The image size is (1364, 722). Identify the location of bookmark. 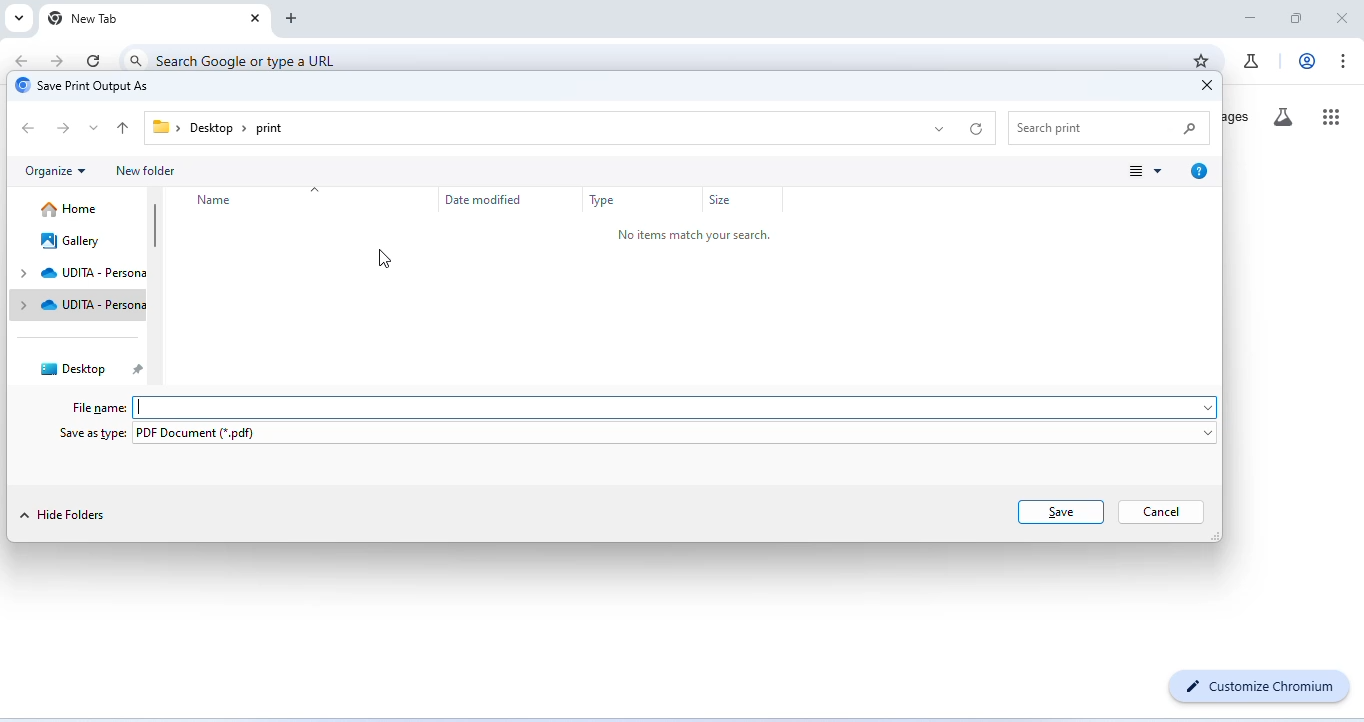
(1201, 60).